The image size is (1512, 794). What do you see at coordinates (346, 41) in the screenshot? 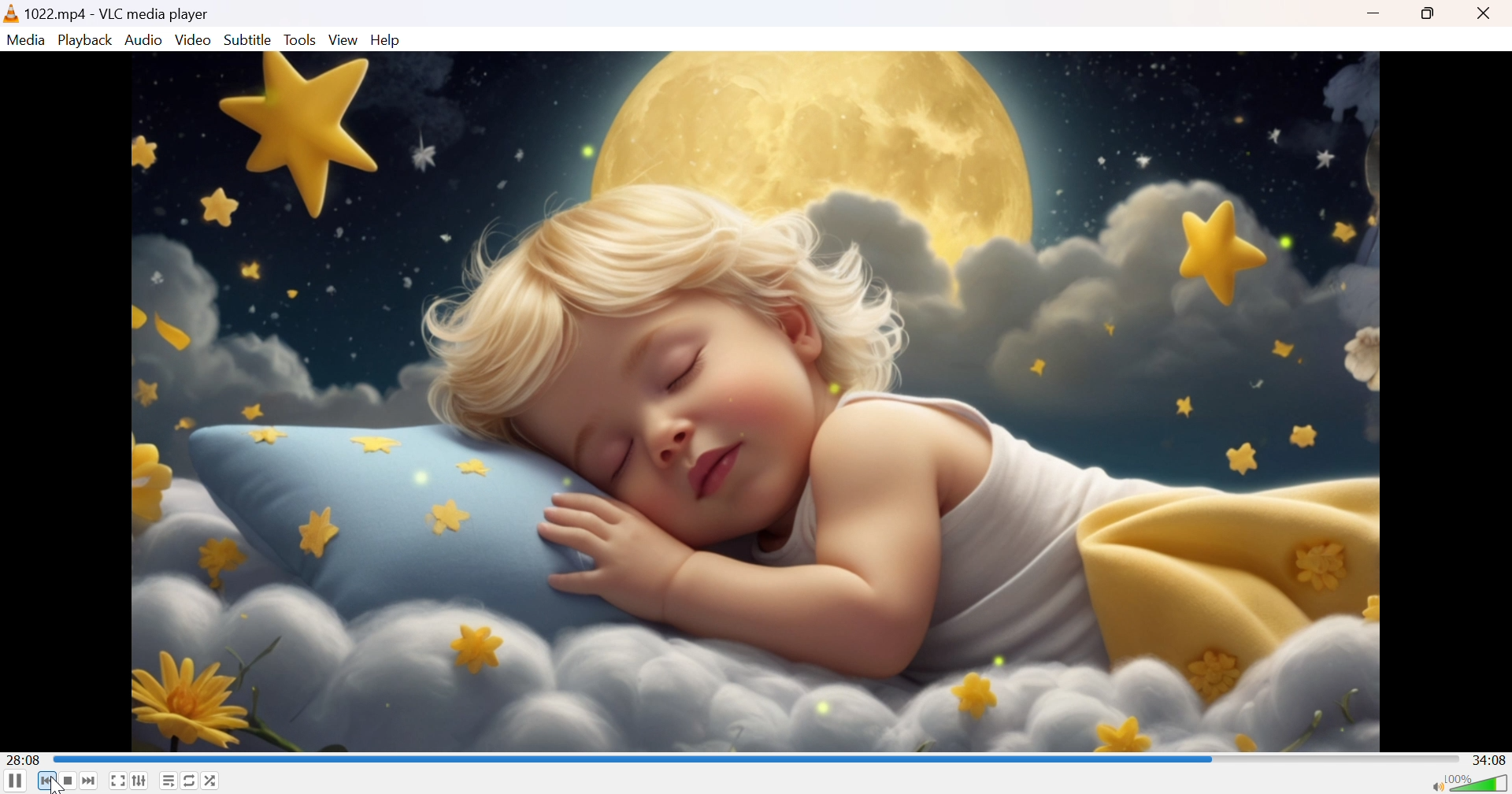
I see `View` at bounding box center [346, 41].